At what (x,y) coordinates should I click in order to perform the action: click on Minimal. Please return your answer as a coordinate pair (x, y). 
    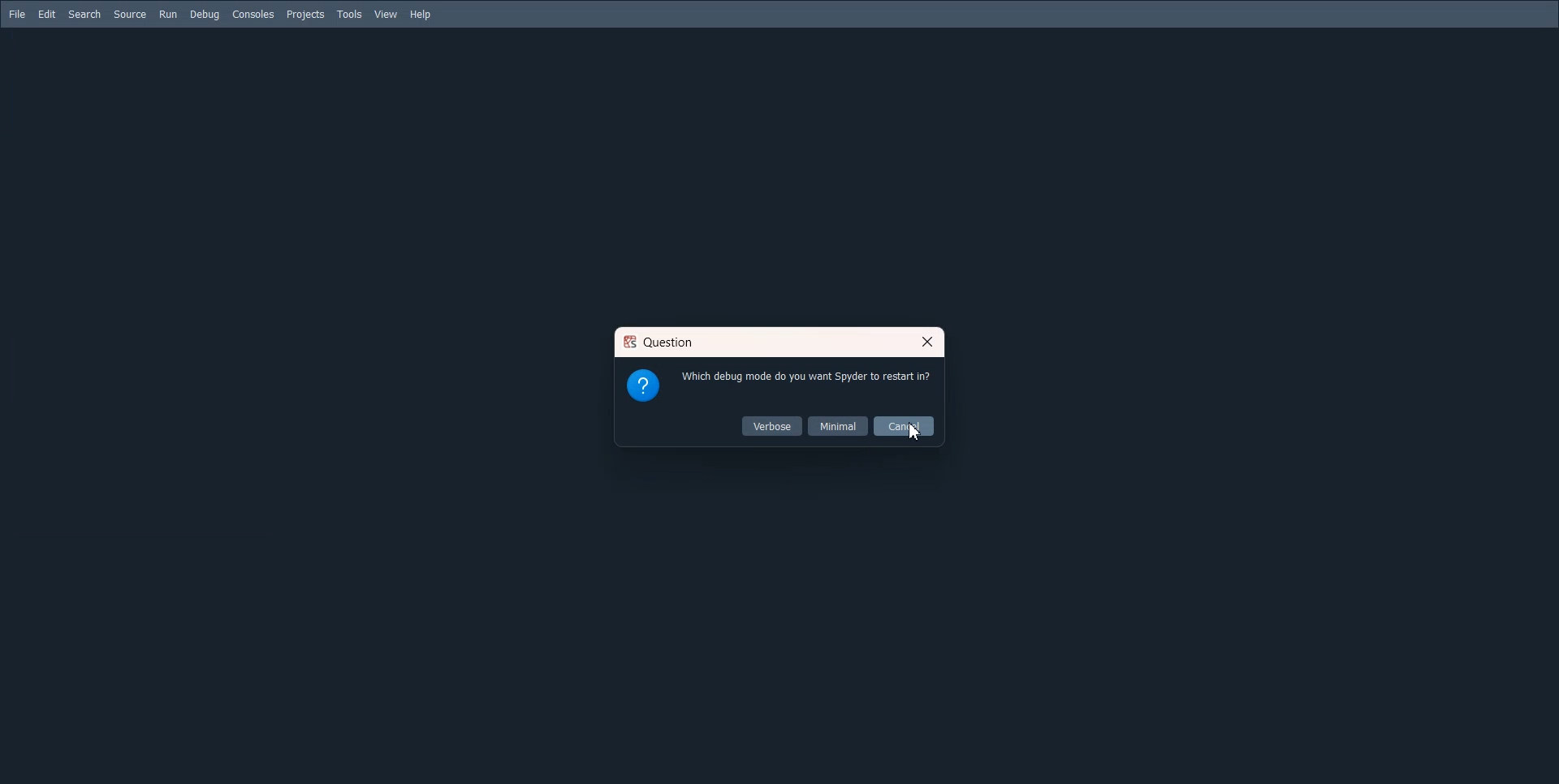
    Looking at the image, I should click on (838, 425).